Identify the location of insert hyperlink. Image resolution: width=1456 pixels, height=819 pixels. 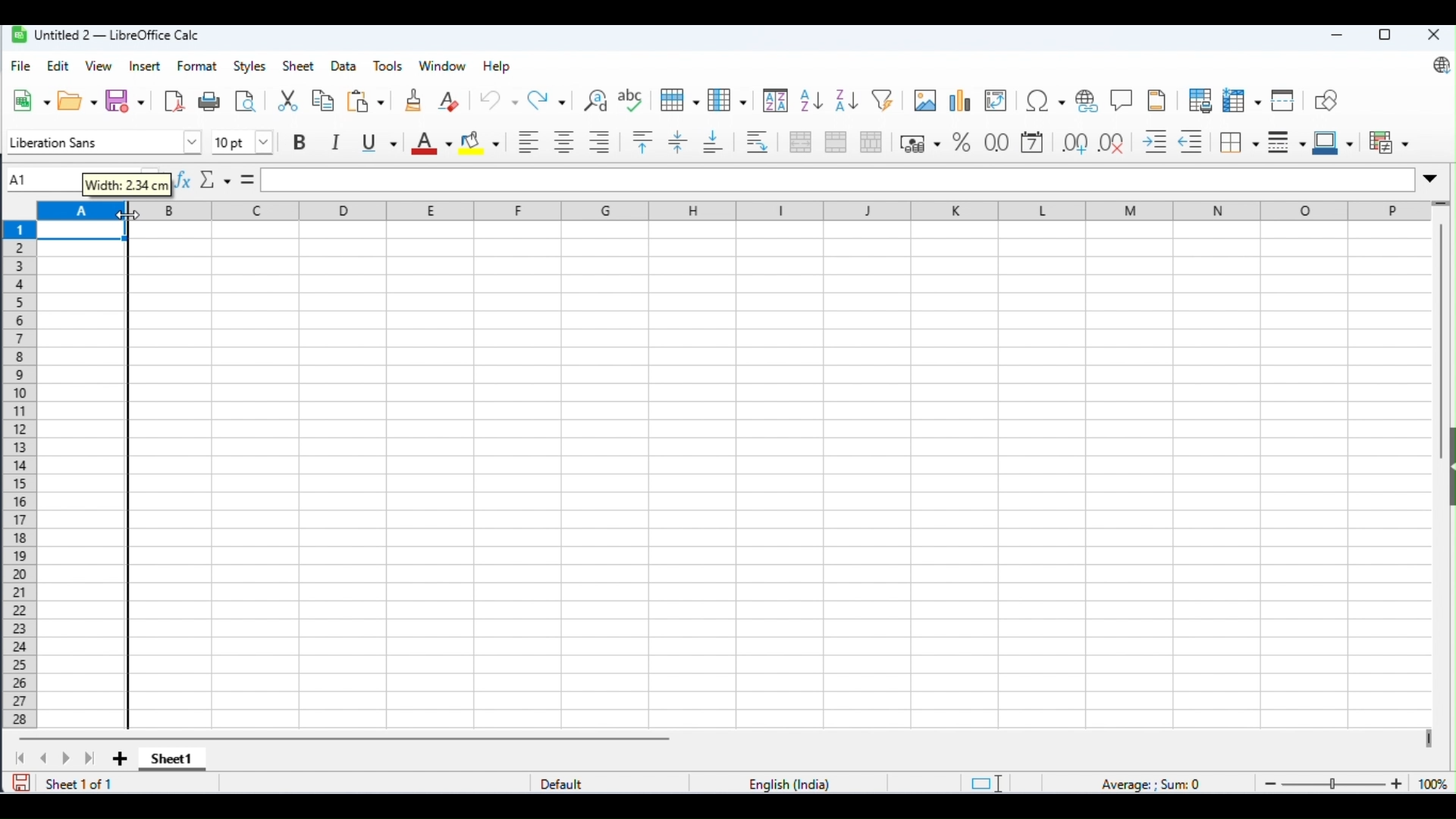
(1122, 99).